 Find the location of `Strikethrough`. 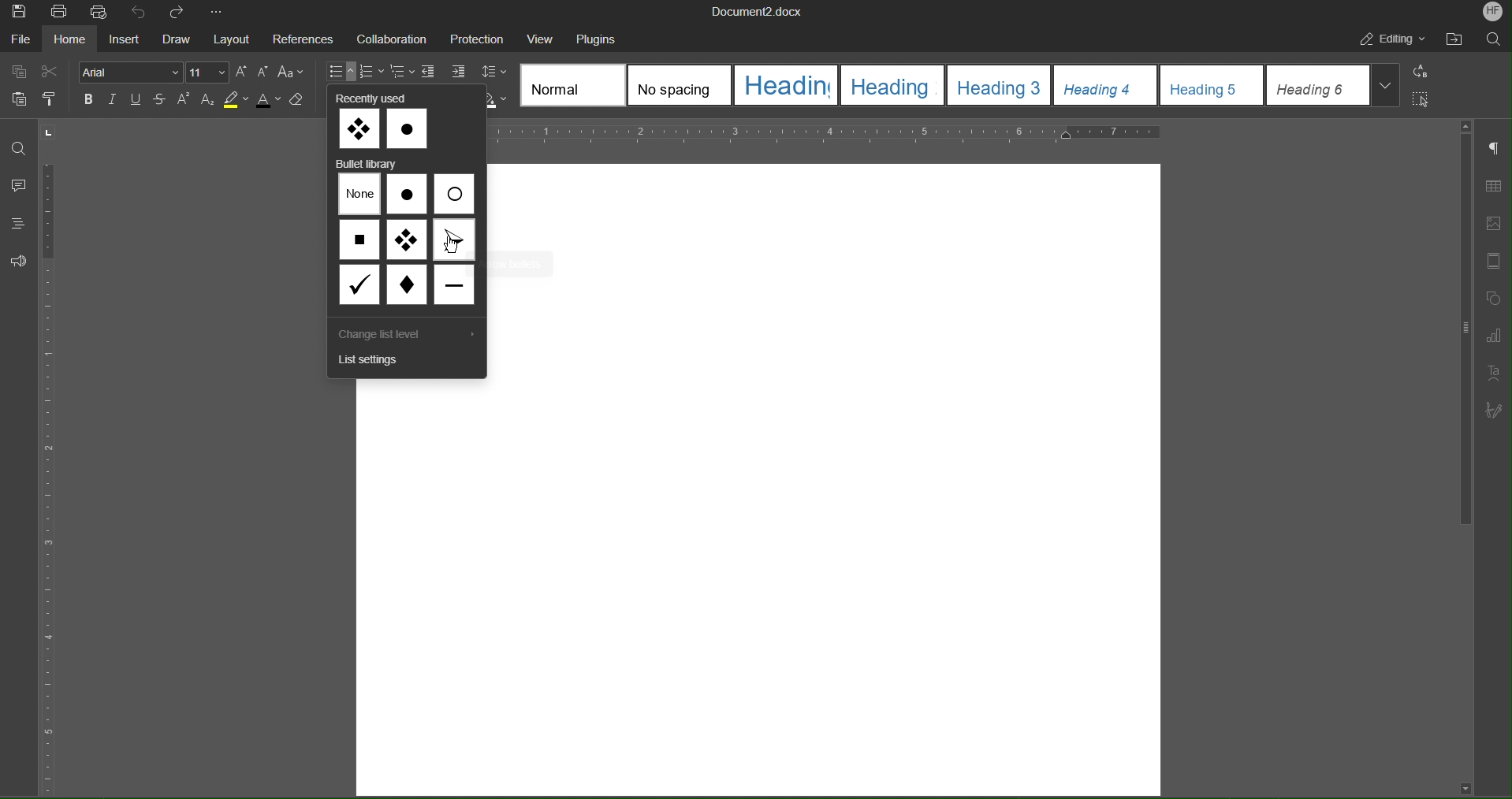

Strikethrough is located at coordinates (165, 102).